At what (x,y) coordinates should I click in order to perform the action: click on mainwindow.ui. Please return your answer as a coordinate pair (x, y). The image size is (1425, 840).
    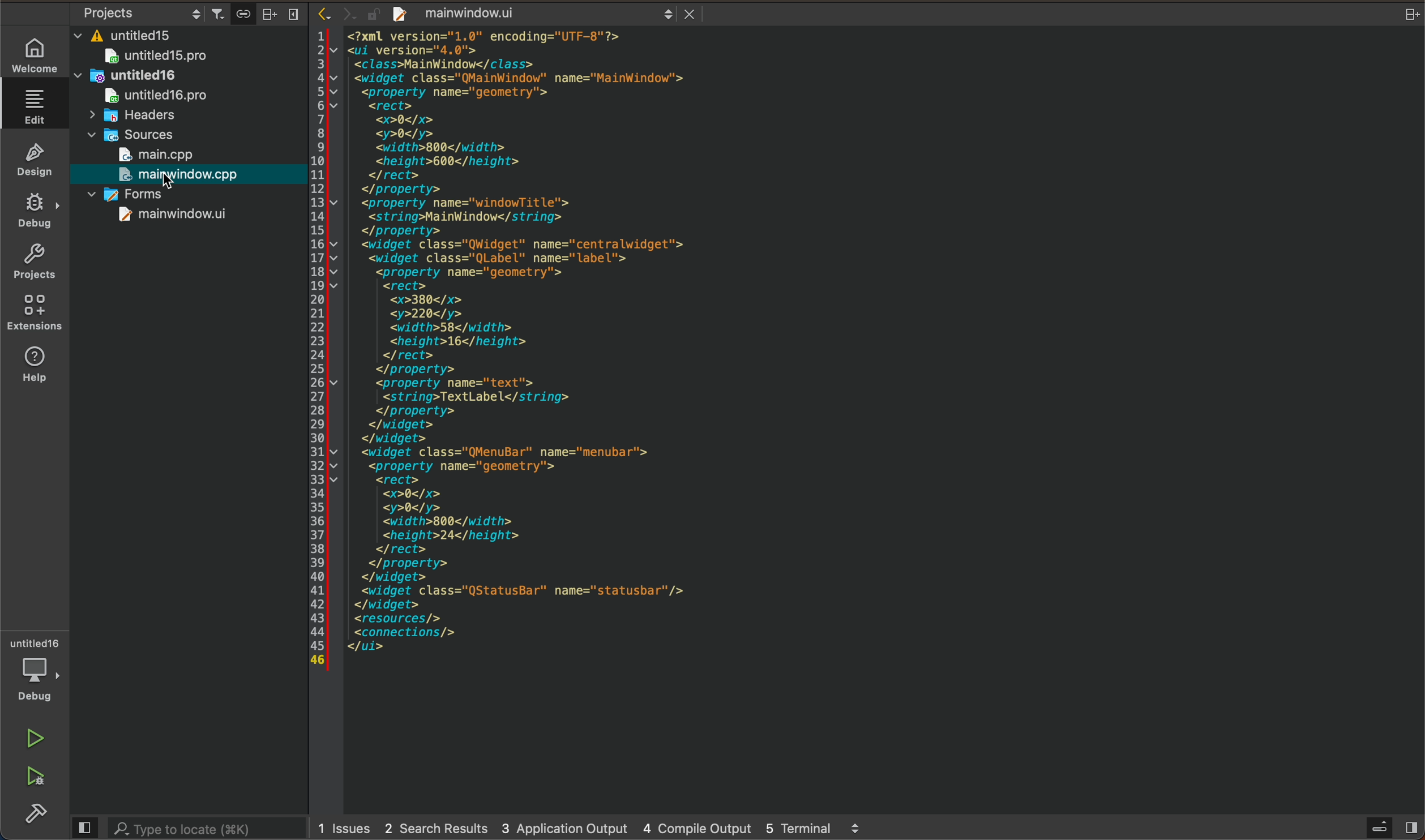
    Looking at the image, I should click on (549, 14).